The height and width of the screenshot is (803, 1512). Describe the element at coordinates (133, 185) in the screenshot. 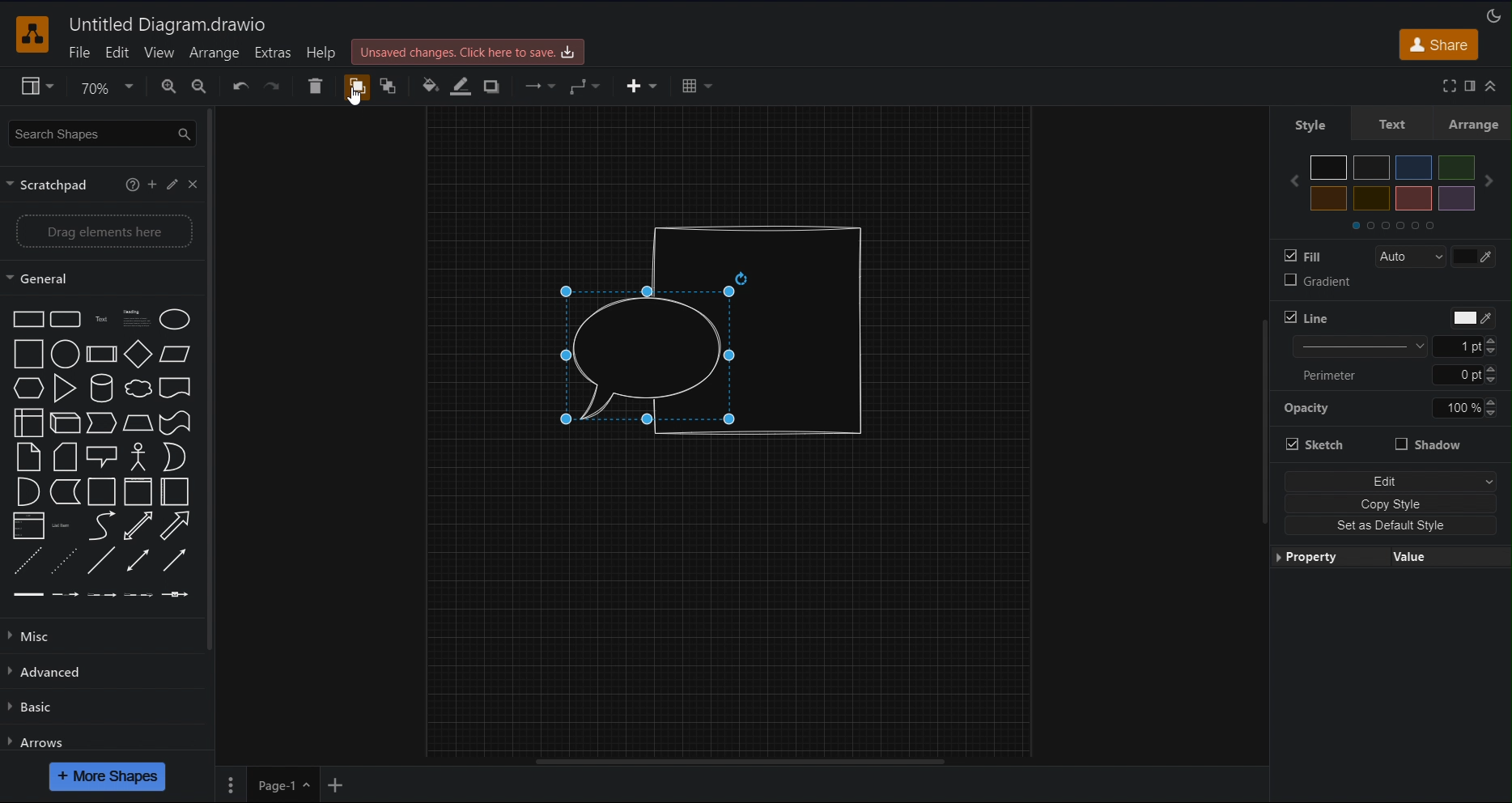

I see `More information` at that location.